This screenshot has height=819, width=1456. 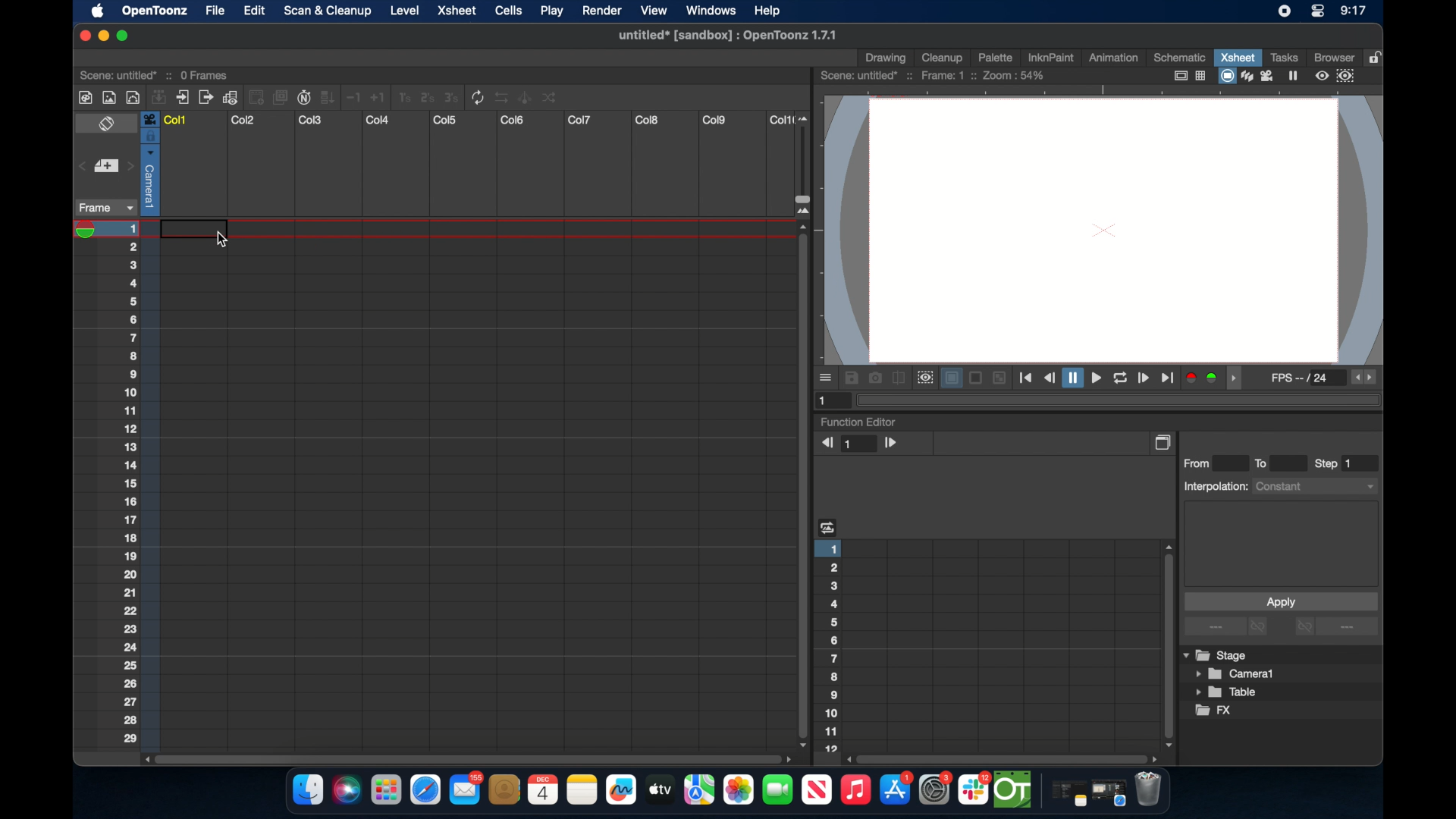 I want to click on snapshot, so click(x=875, y=378).